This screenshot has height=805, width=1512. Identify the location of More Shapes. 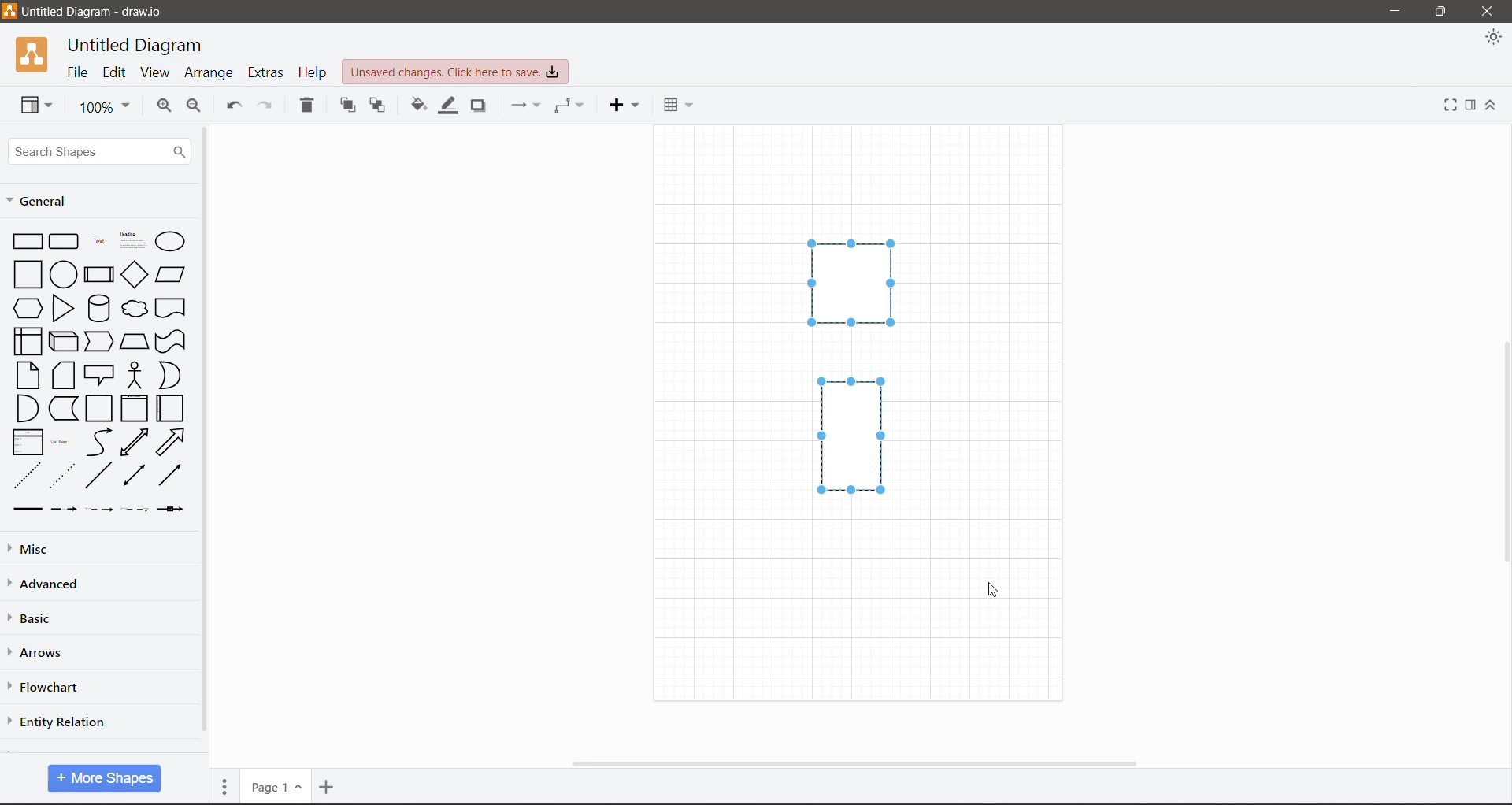
(104, 778).